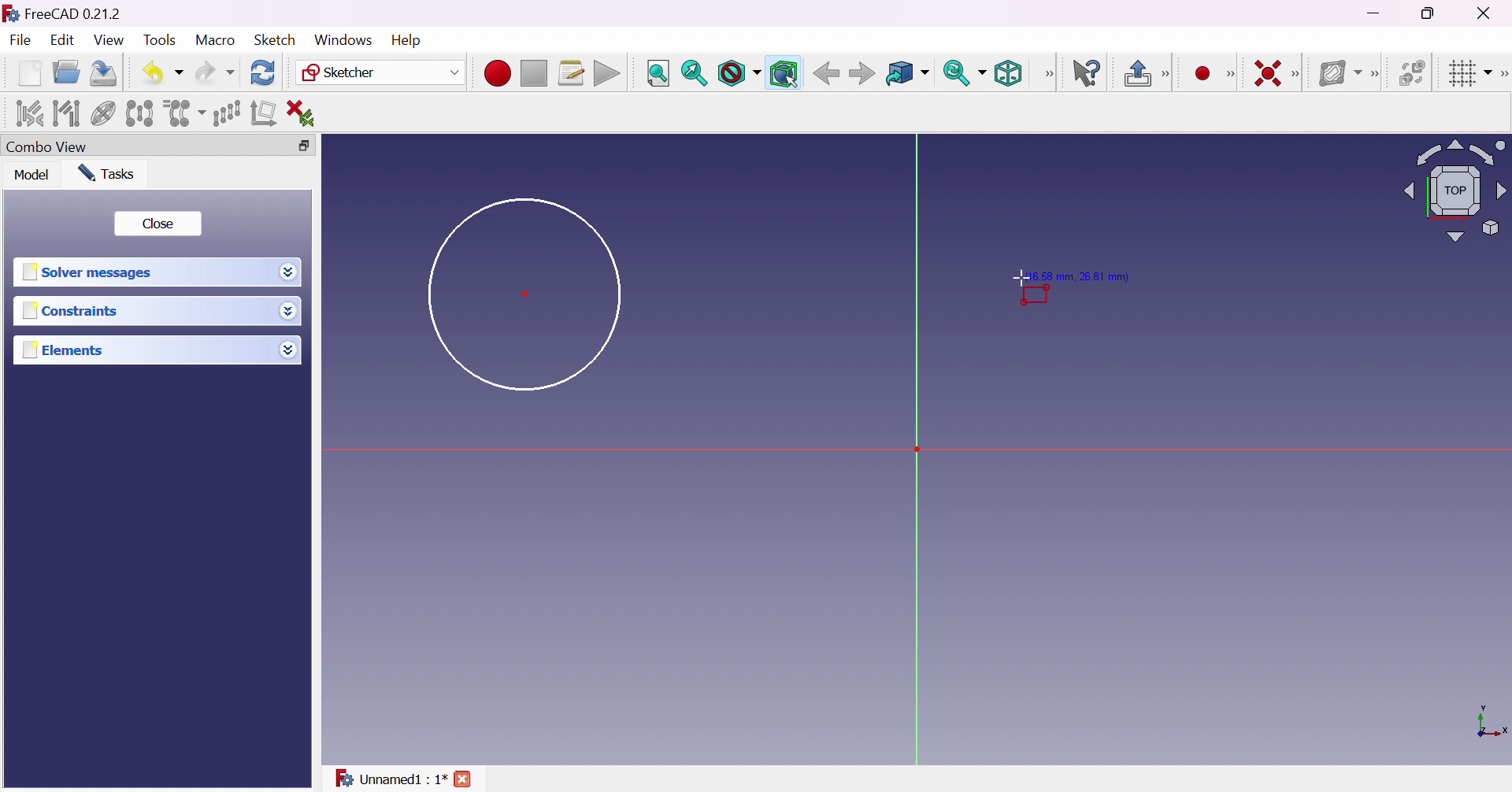  What do you see at coordinates (30, 72) in the screenshot?
I see `New` at bounding box center [30, 72].